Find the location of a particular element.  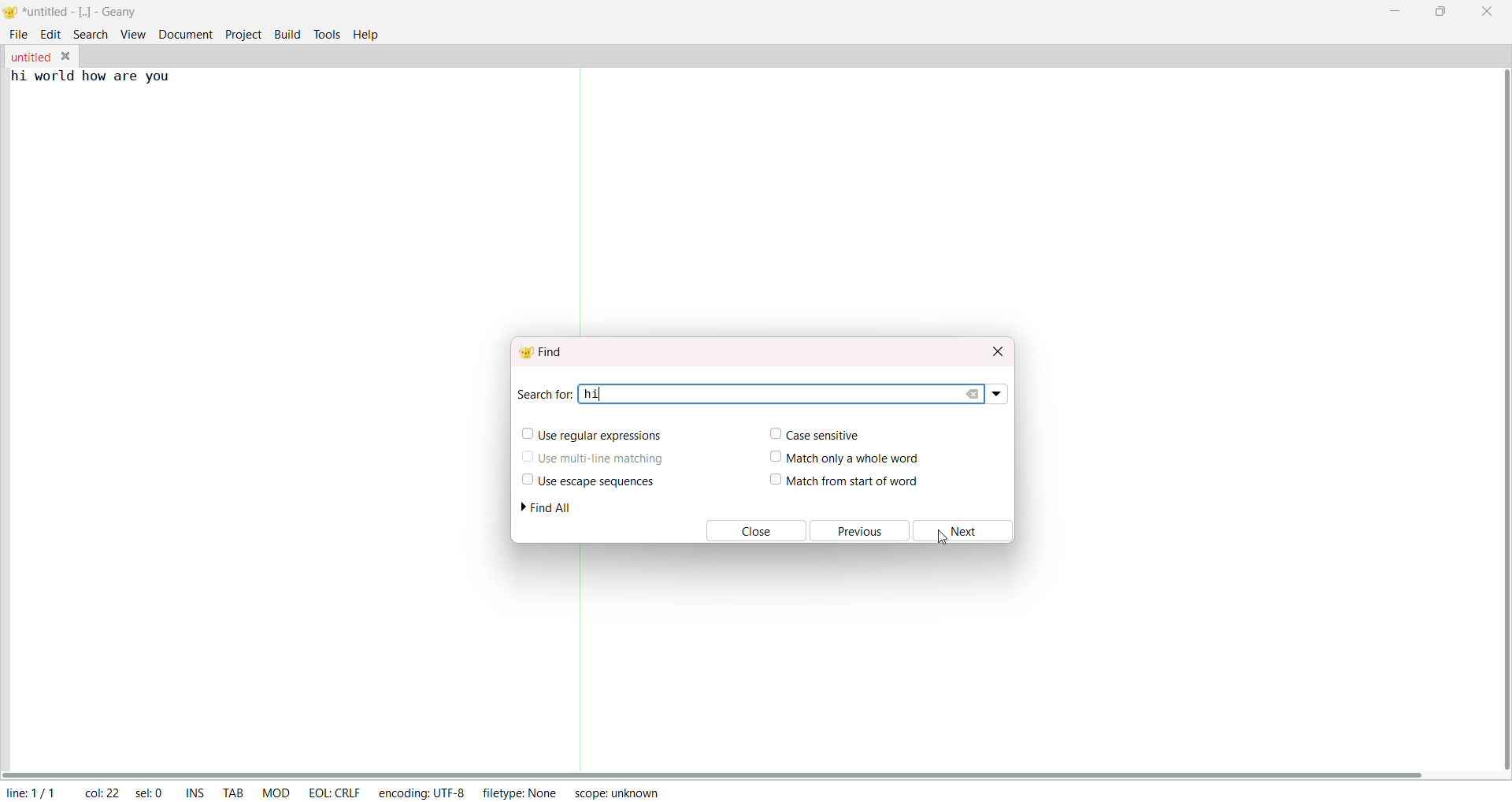

scope: unknown is located at coordinates (613, 792).